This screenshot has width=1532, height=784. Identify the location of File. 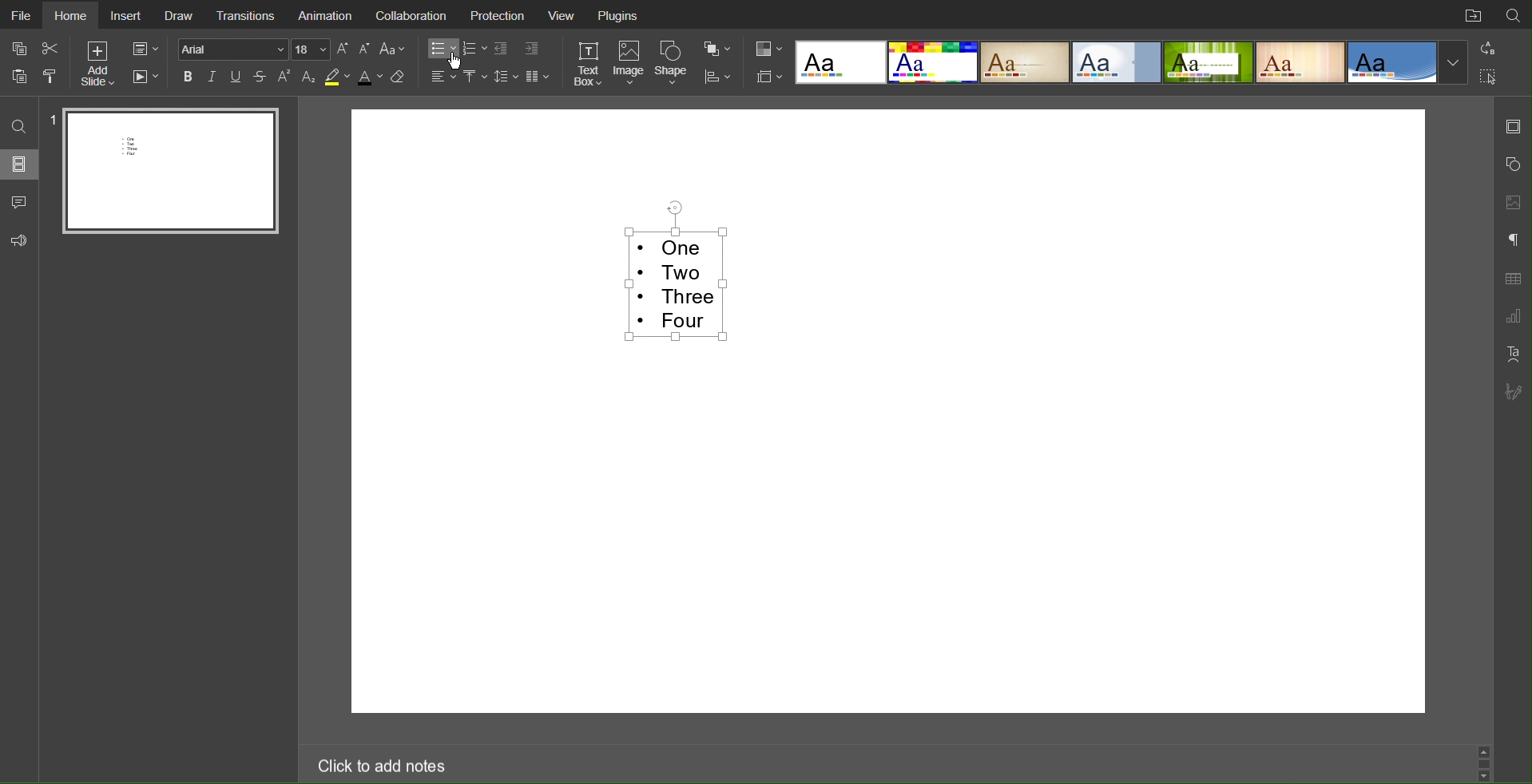
(21, 14).